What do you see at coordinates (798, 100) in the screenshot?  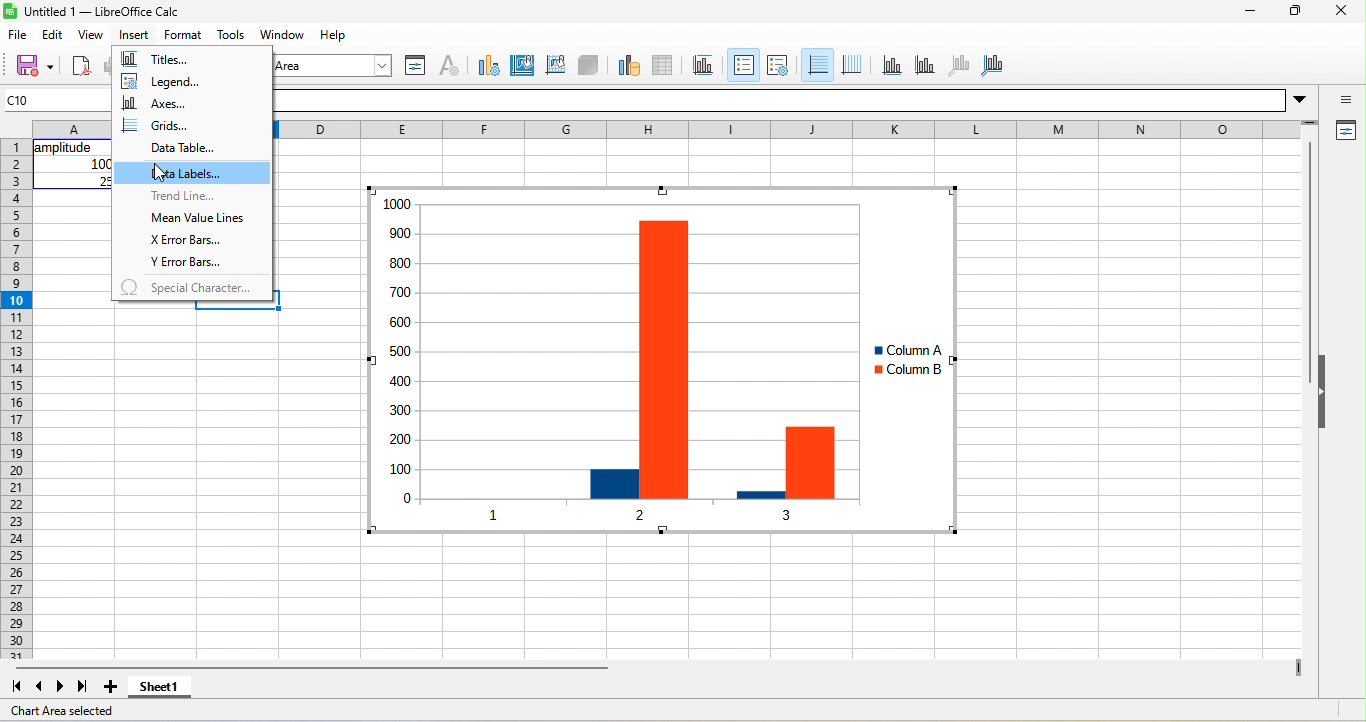 I see `formula bar` at bounding box center [798, 100].